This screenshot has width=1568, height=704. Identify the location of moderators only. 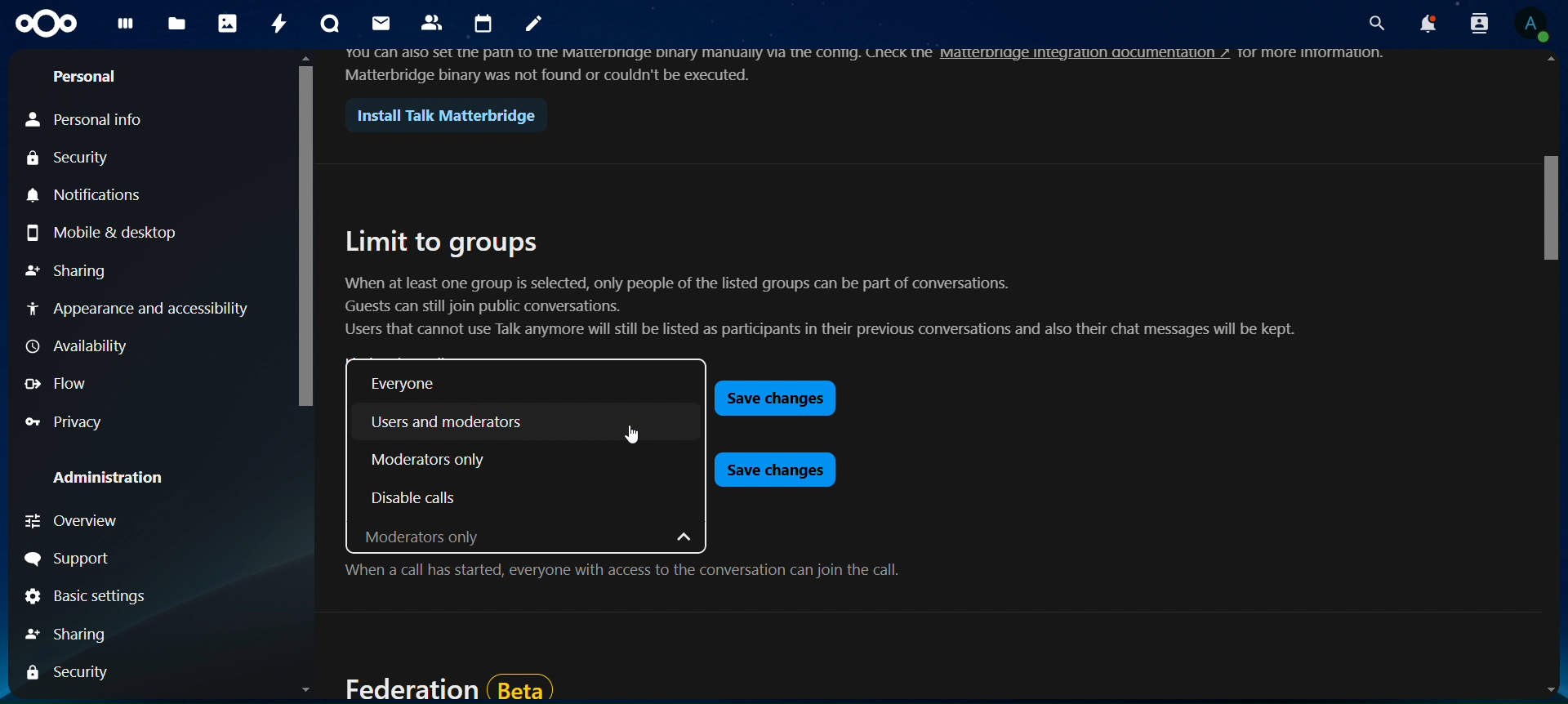
(430, 537).